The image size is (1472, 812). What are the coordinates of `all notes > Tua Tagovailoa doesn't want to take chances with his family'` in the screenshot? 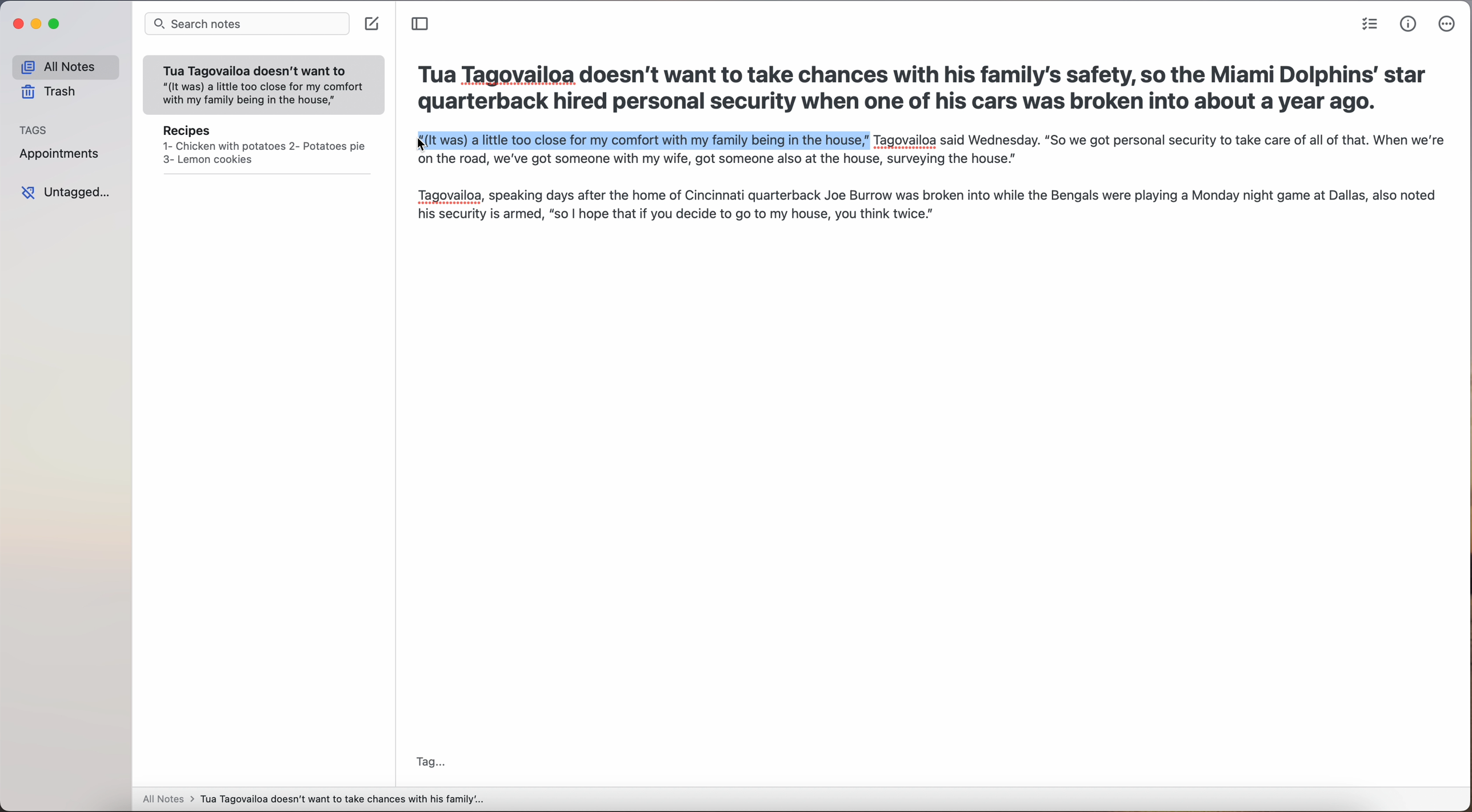 It's located at (314, 801).